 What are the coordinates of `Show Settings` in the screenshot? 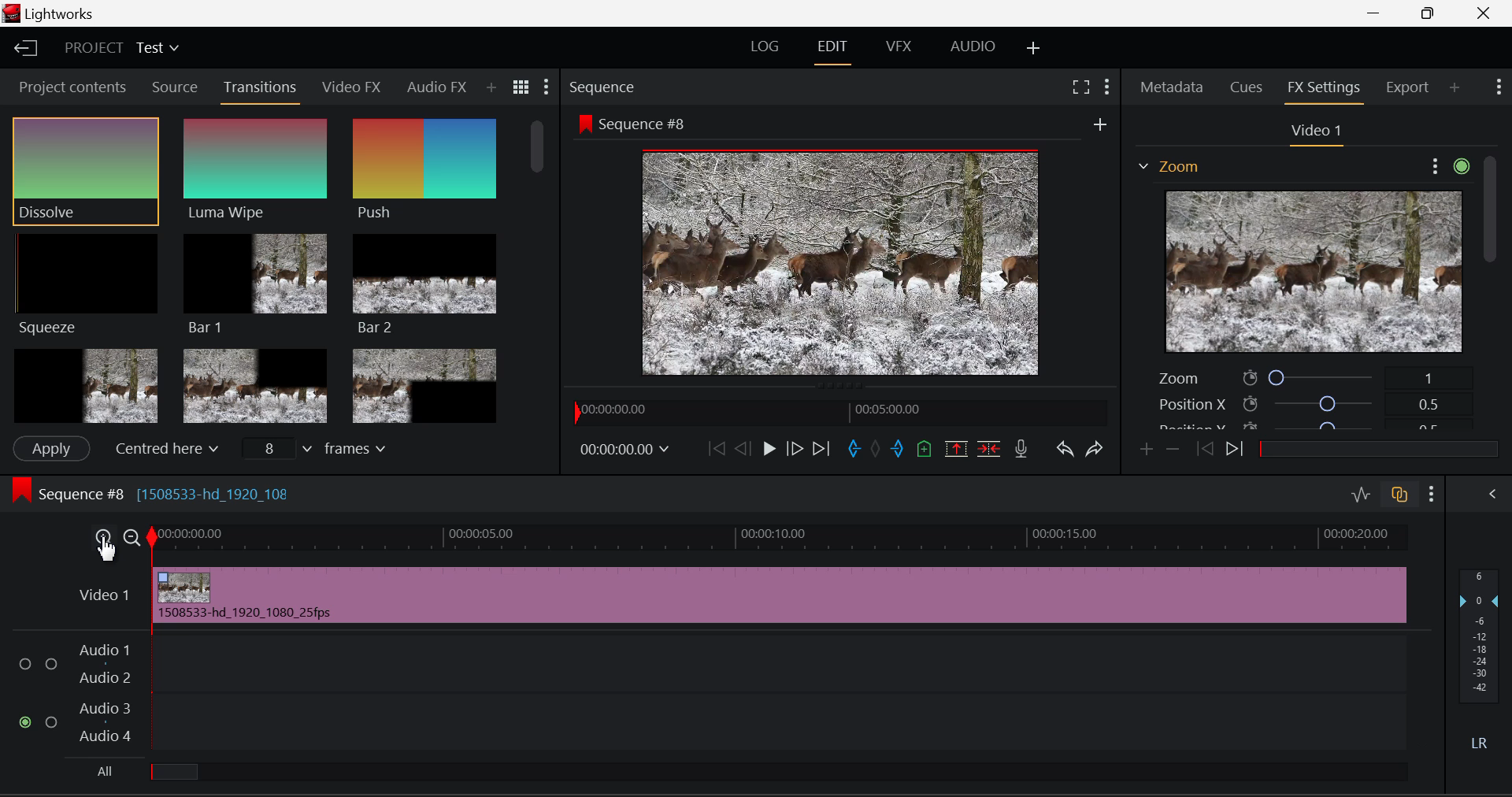 It's located at (544, 87).